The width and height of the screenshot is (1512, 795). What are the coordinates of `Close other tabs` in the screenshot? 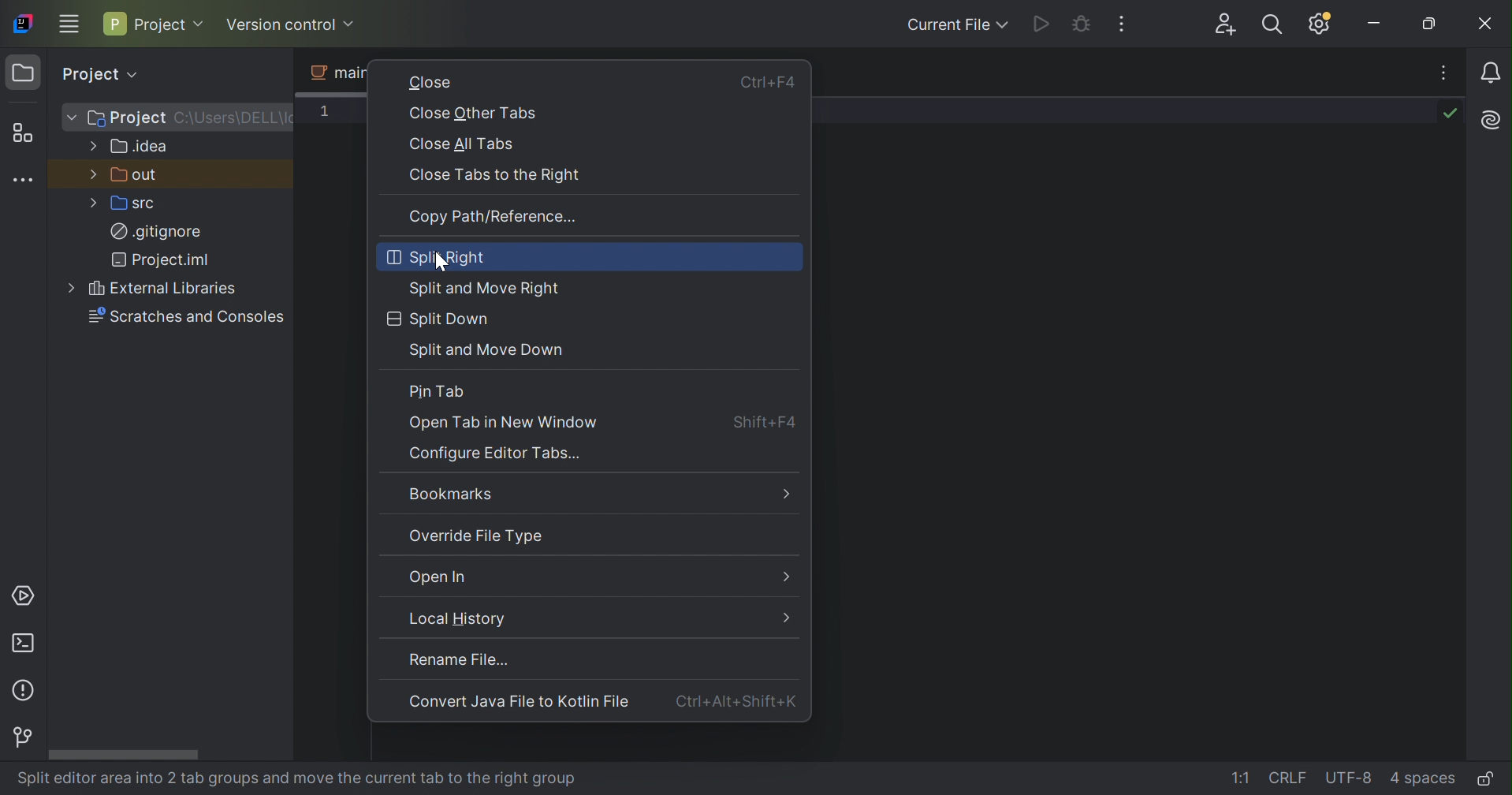 It's located at (473, 114).